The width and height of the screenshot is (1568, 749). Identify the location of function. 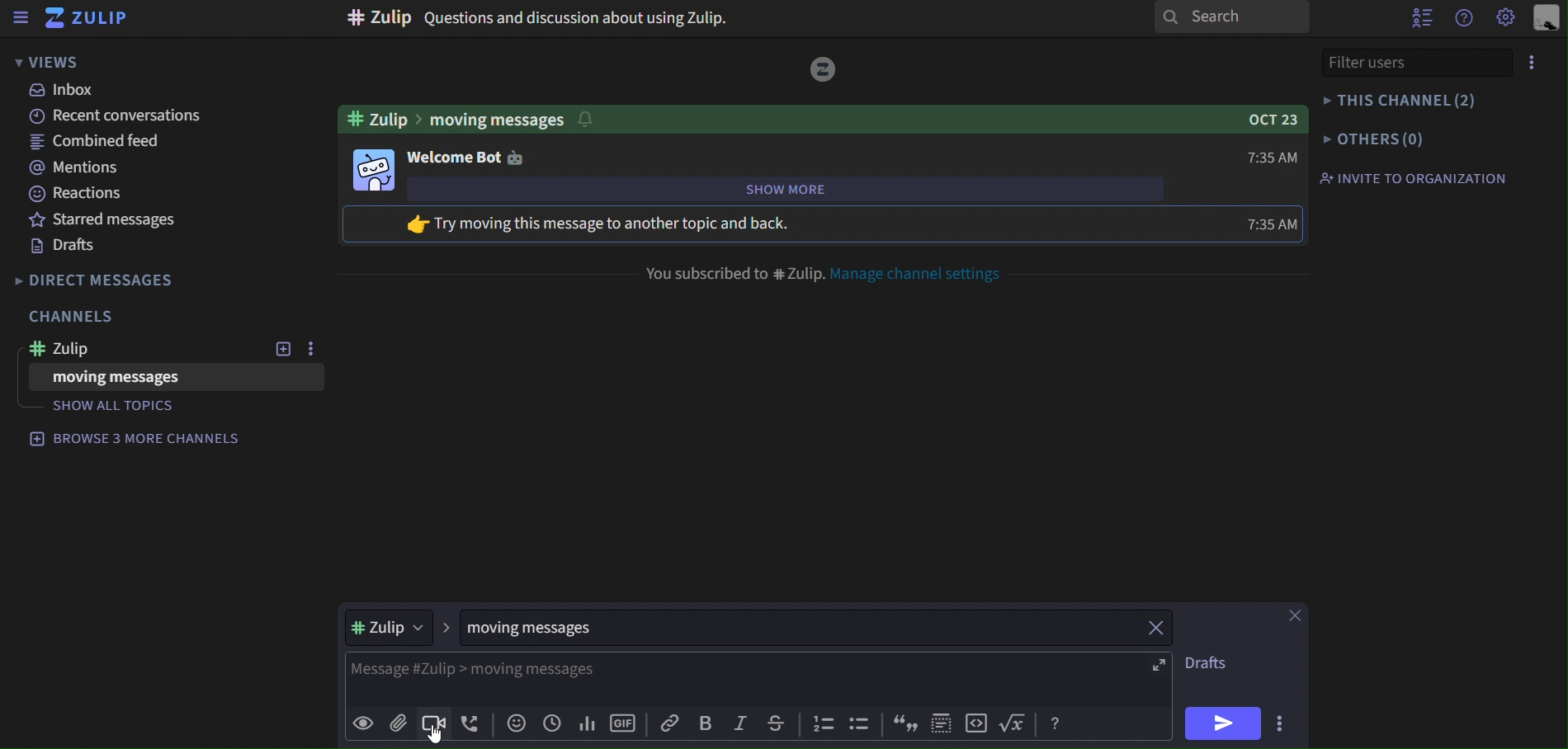
(1014, 724).